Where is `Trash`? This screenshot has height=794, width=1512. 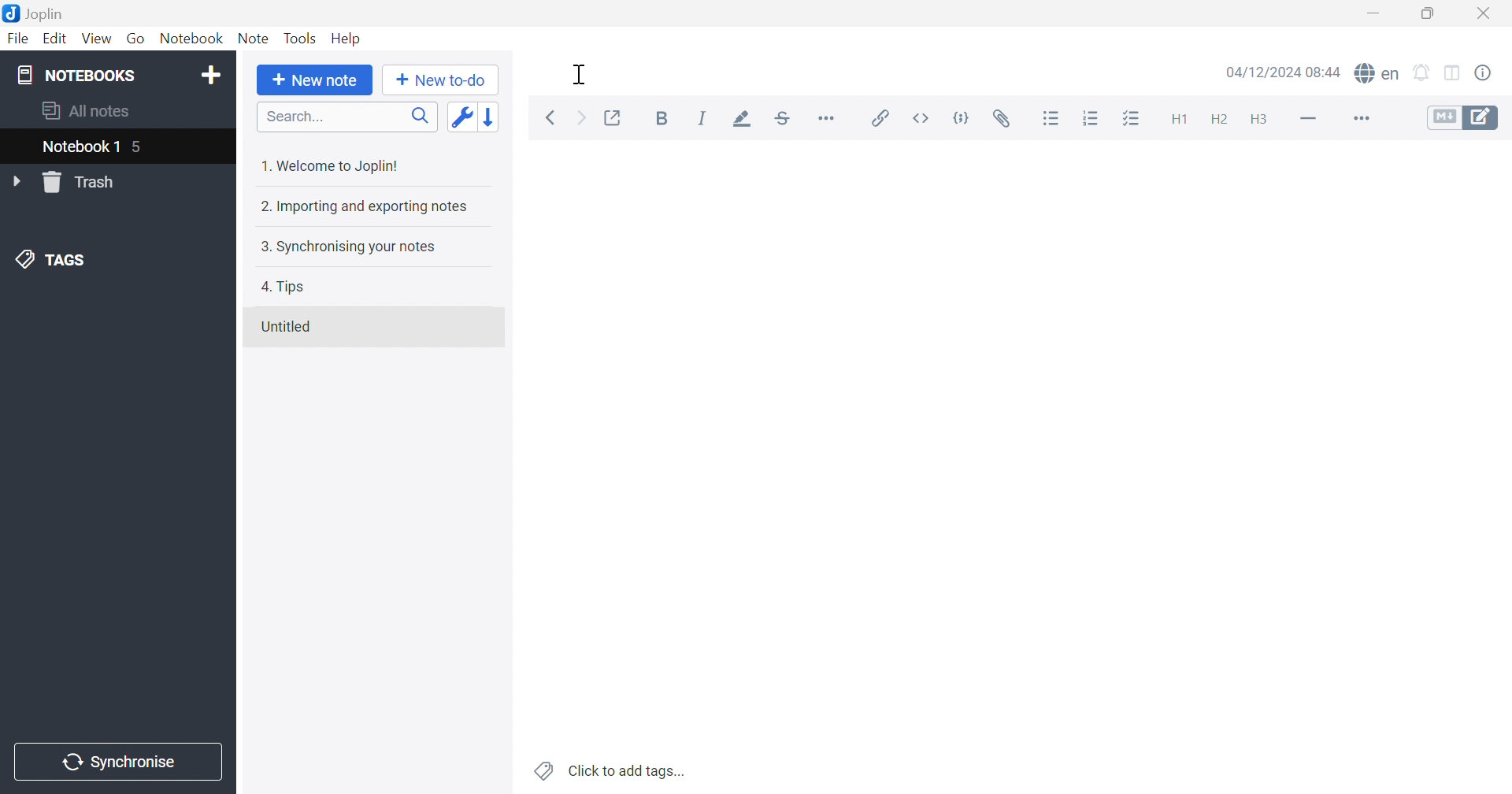 Trash is located at coordinates (81, 184).